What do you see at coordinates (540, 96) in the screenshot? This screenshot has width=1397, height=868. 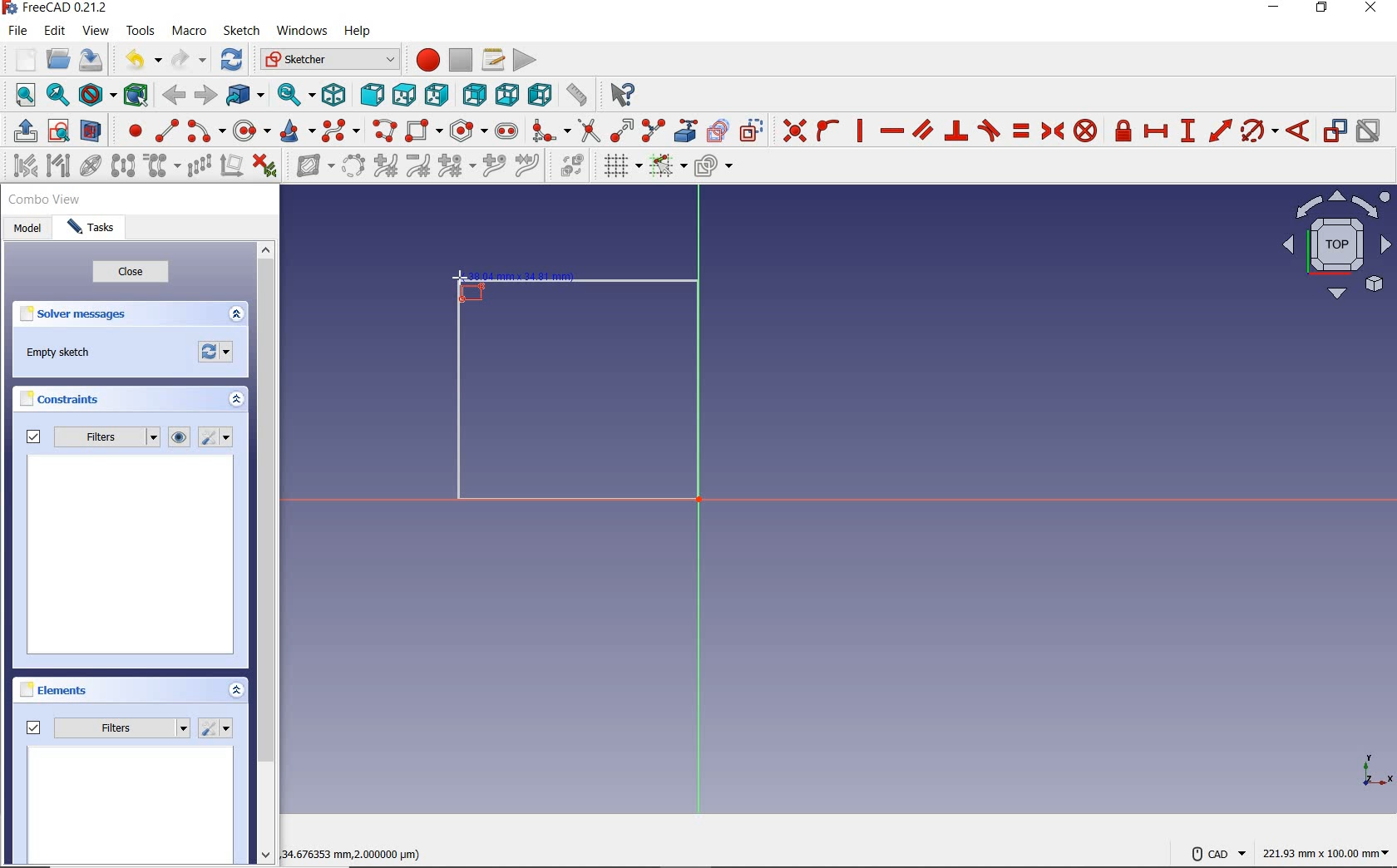 I see `left` at bounding box center [540, 96].